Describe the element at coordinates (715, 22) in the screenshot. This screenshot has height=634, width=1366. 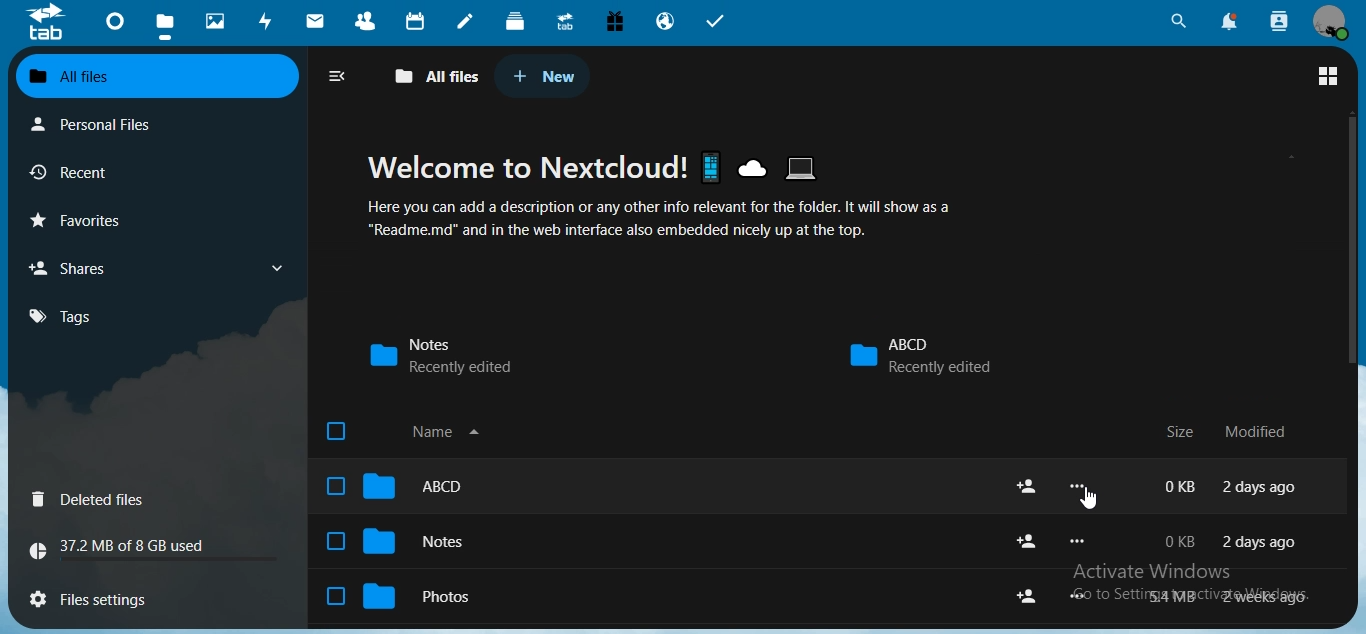
I see `tasks` at that location.